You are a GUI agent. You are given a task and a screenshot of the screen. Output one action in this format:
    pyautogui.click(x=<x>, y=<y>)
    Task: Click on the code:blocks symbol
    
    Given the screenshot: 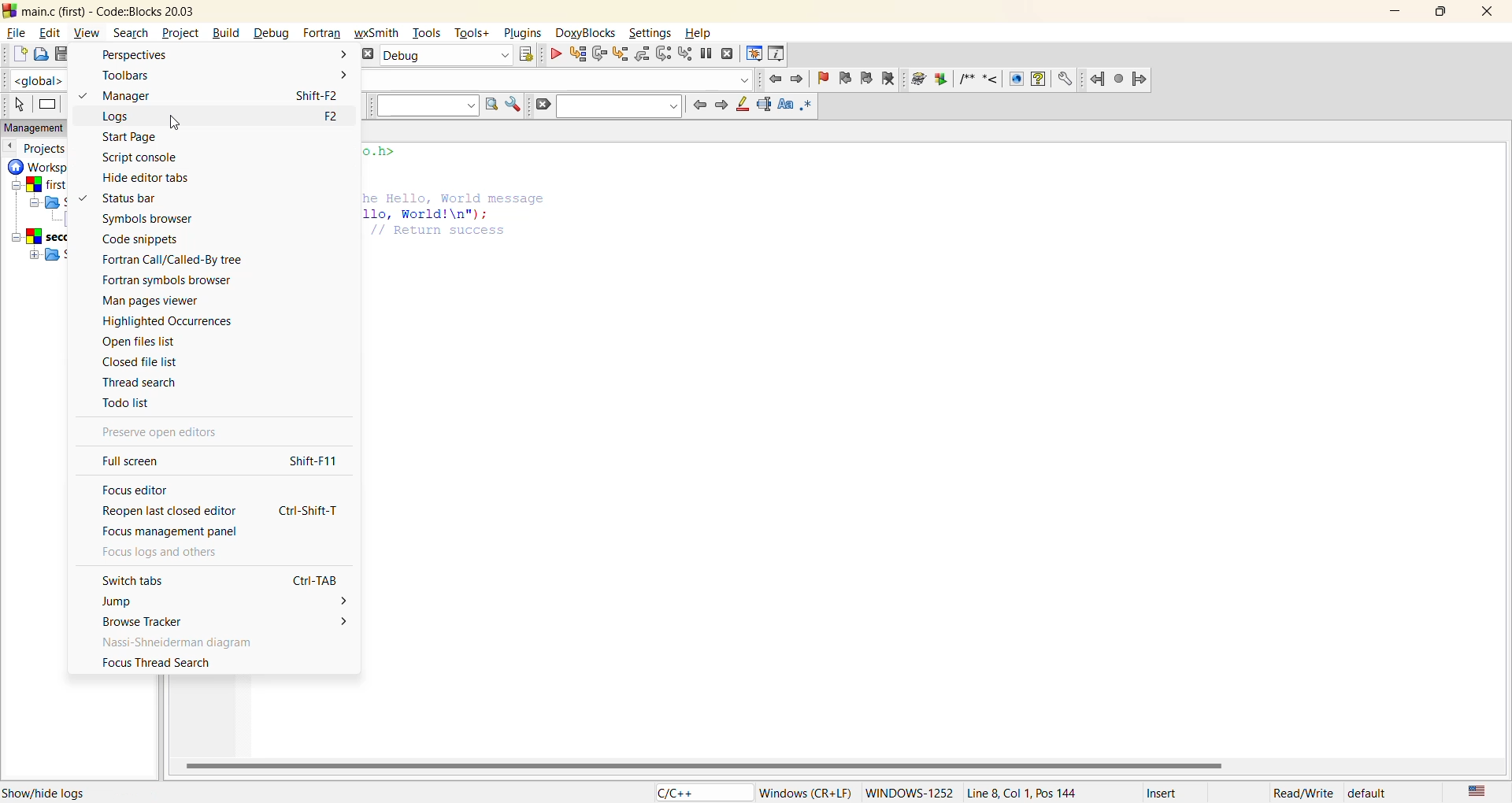 What is the action you would take?
    pyautogui.click(x=9, y=9)
    